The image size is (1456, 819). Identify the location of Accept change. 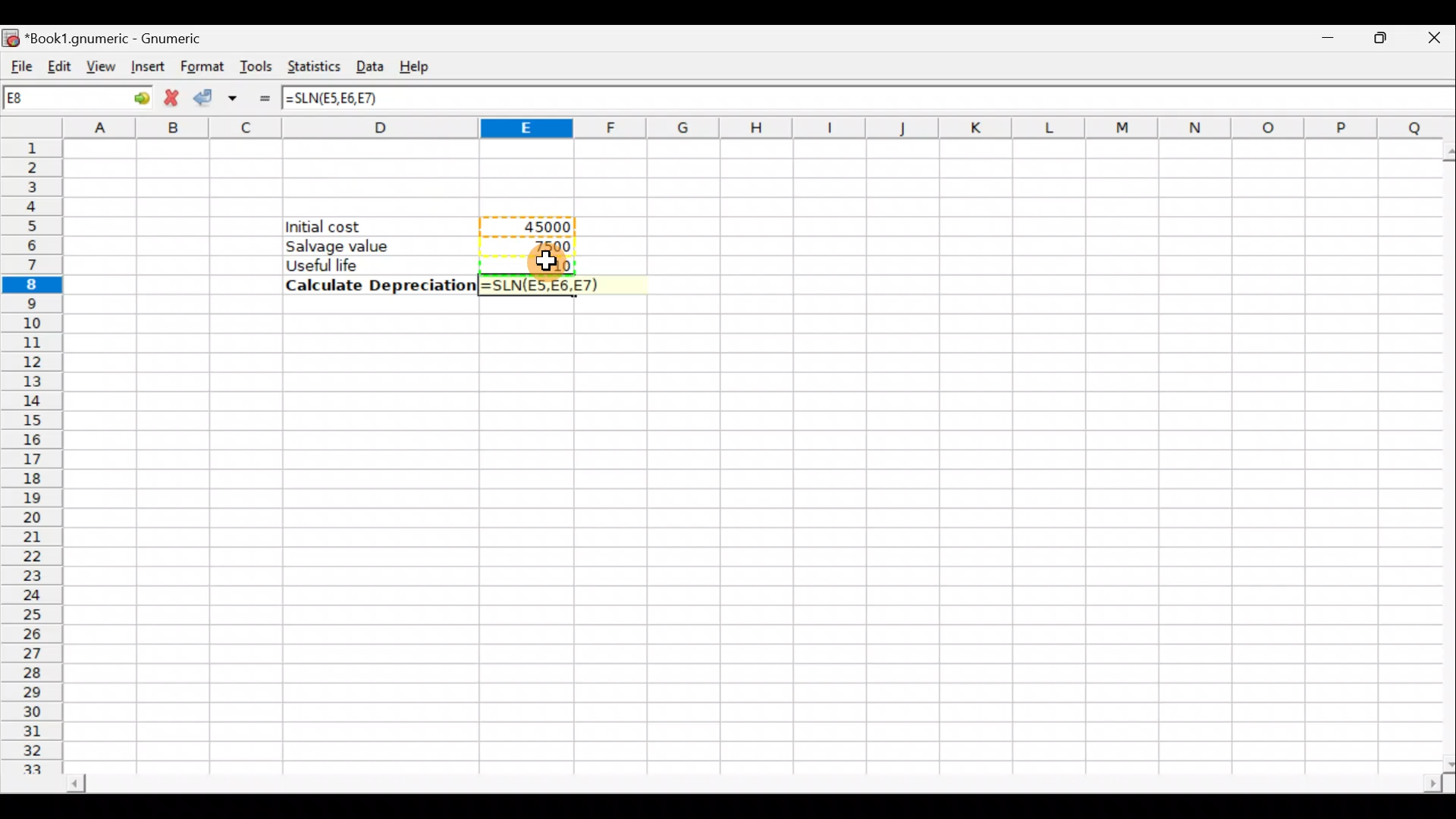
(219, 96).